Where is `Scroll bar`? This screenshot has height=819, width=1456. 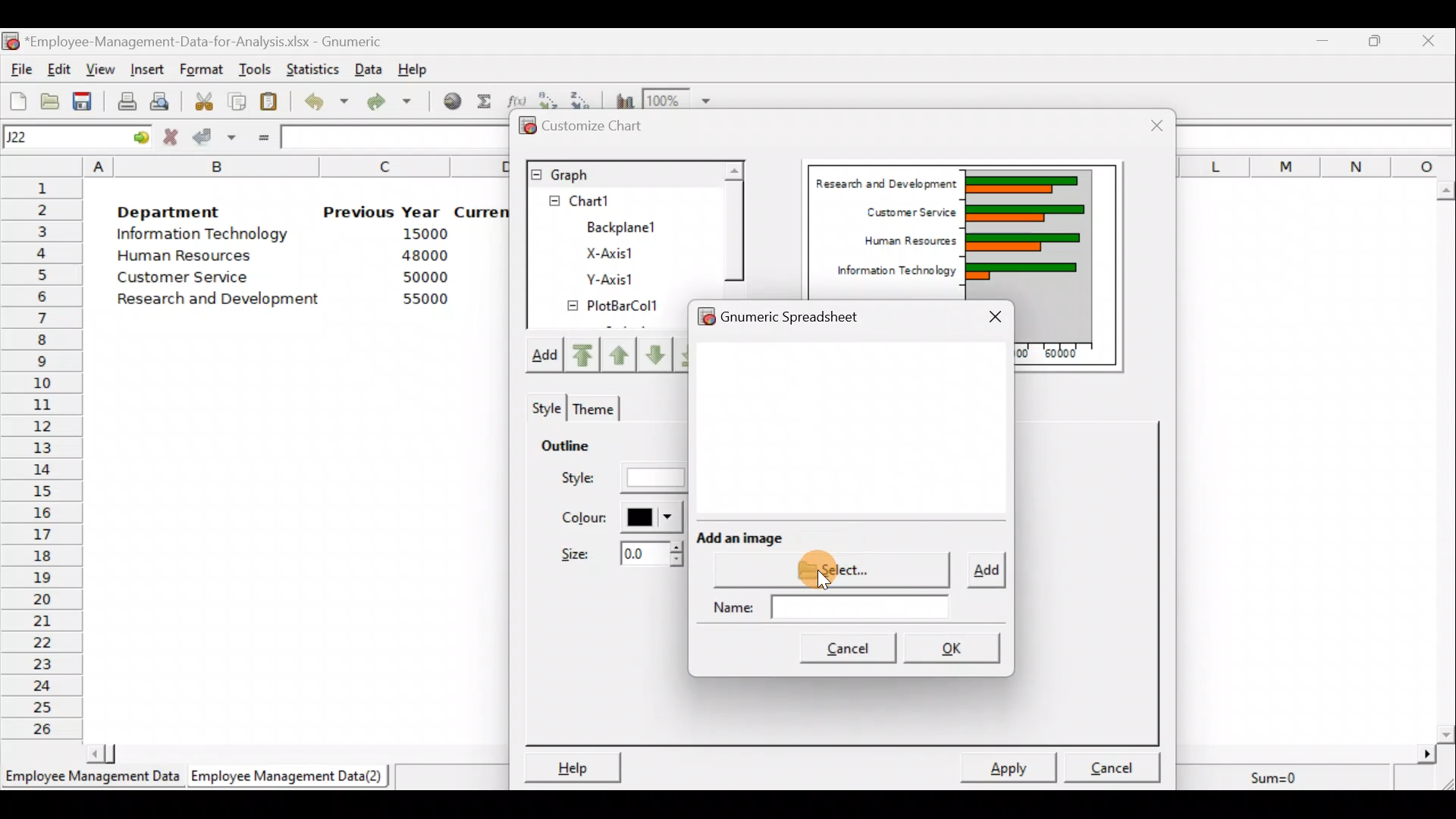 Scroll bar is located at coordinates (733, 227).